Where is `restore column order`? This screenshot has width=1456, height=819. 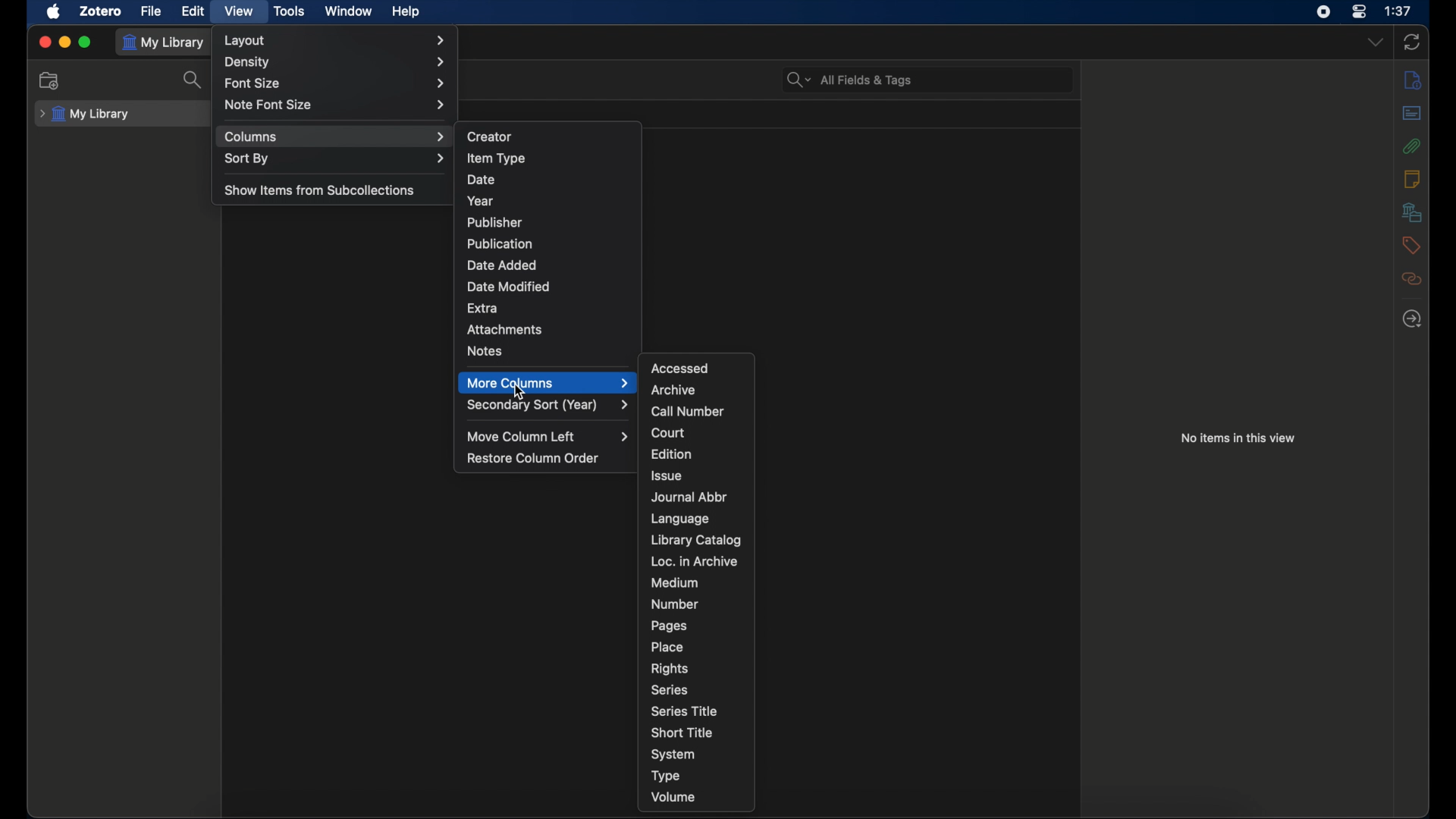
restore column order is located at coordinates (534, 458).